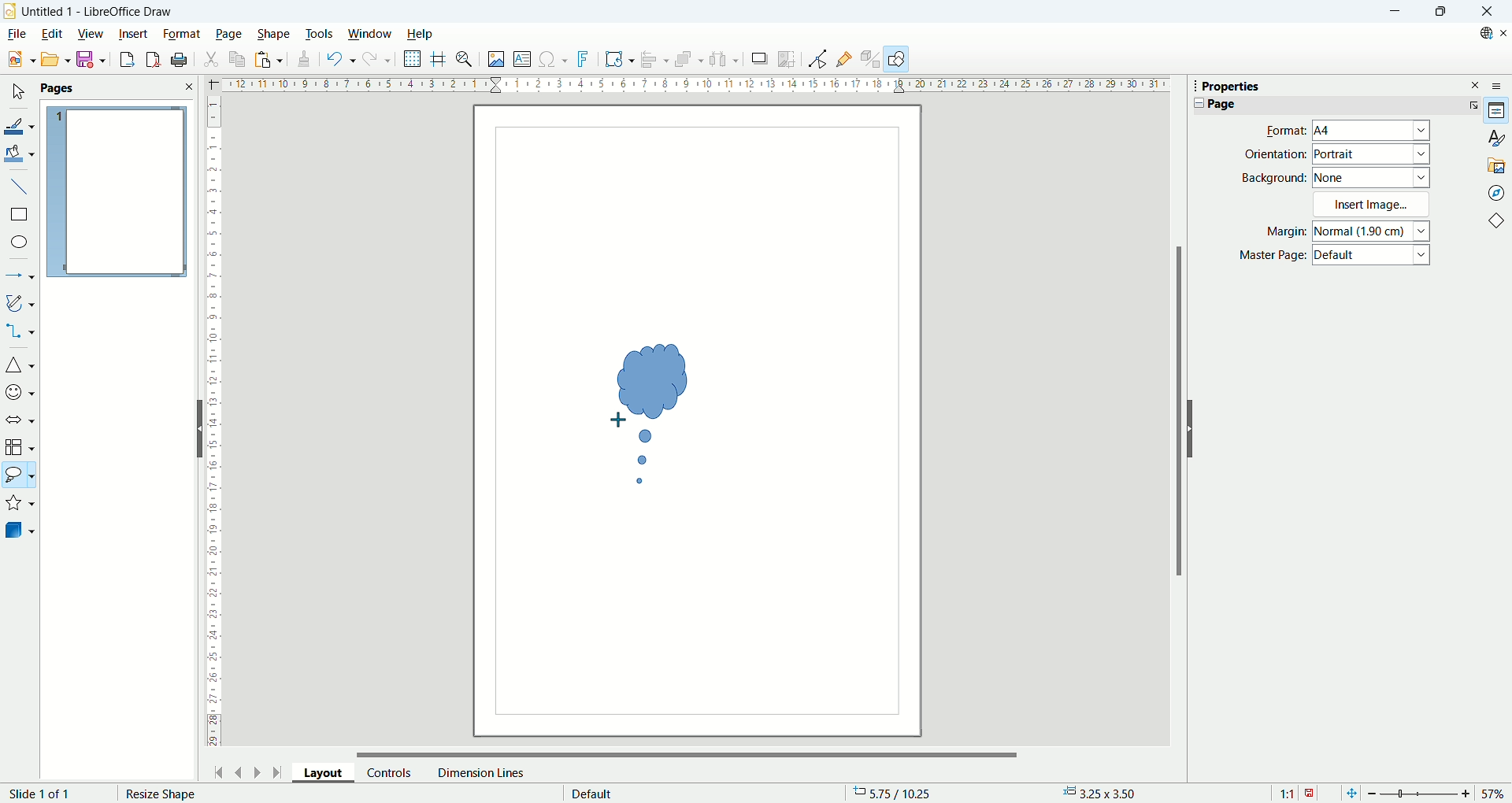 The width and height of the screenshot is (1512, 803). Describe the element at coordinates (419, 34) in the screenshot. I see `help` at that location.